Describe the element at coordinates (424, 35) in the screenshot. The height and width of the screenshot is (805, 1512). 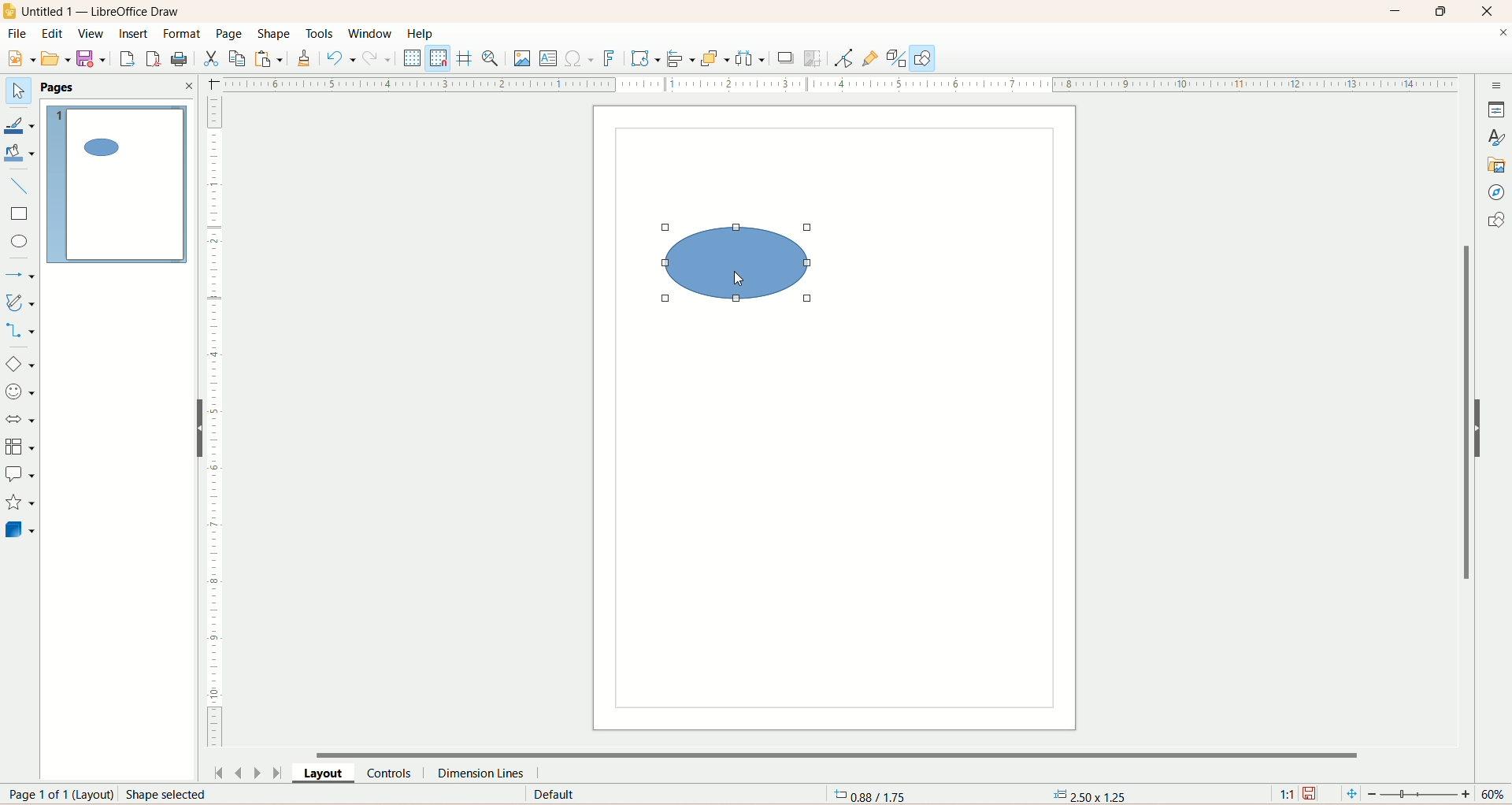
I see `help` at that location.